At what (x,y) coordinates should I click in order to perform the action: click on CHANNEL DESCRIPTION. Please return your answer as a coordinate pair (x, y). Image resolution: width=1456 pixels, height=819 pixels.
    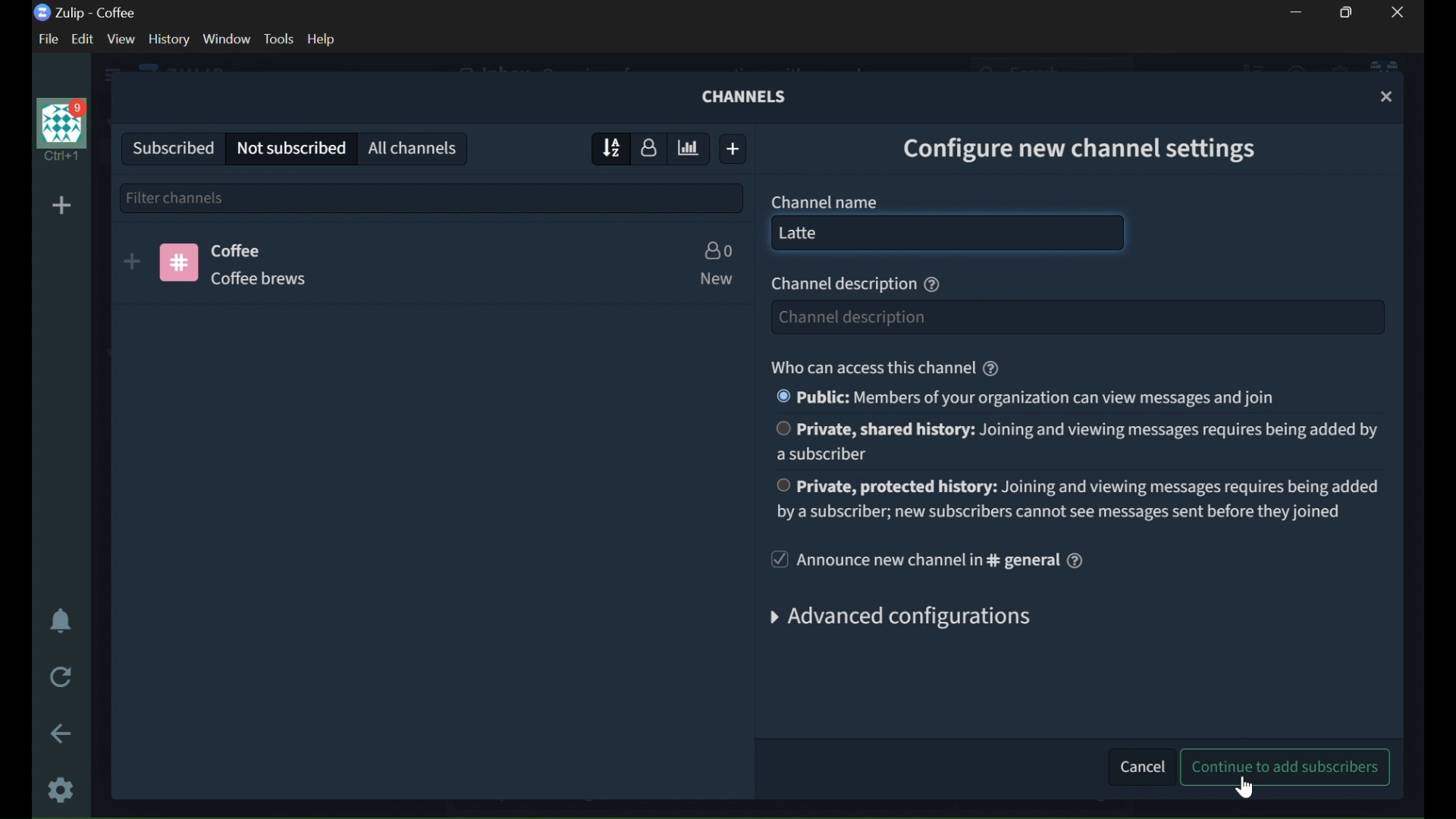
    Looking at the image, I should click on (275, 278).